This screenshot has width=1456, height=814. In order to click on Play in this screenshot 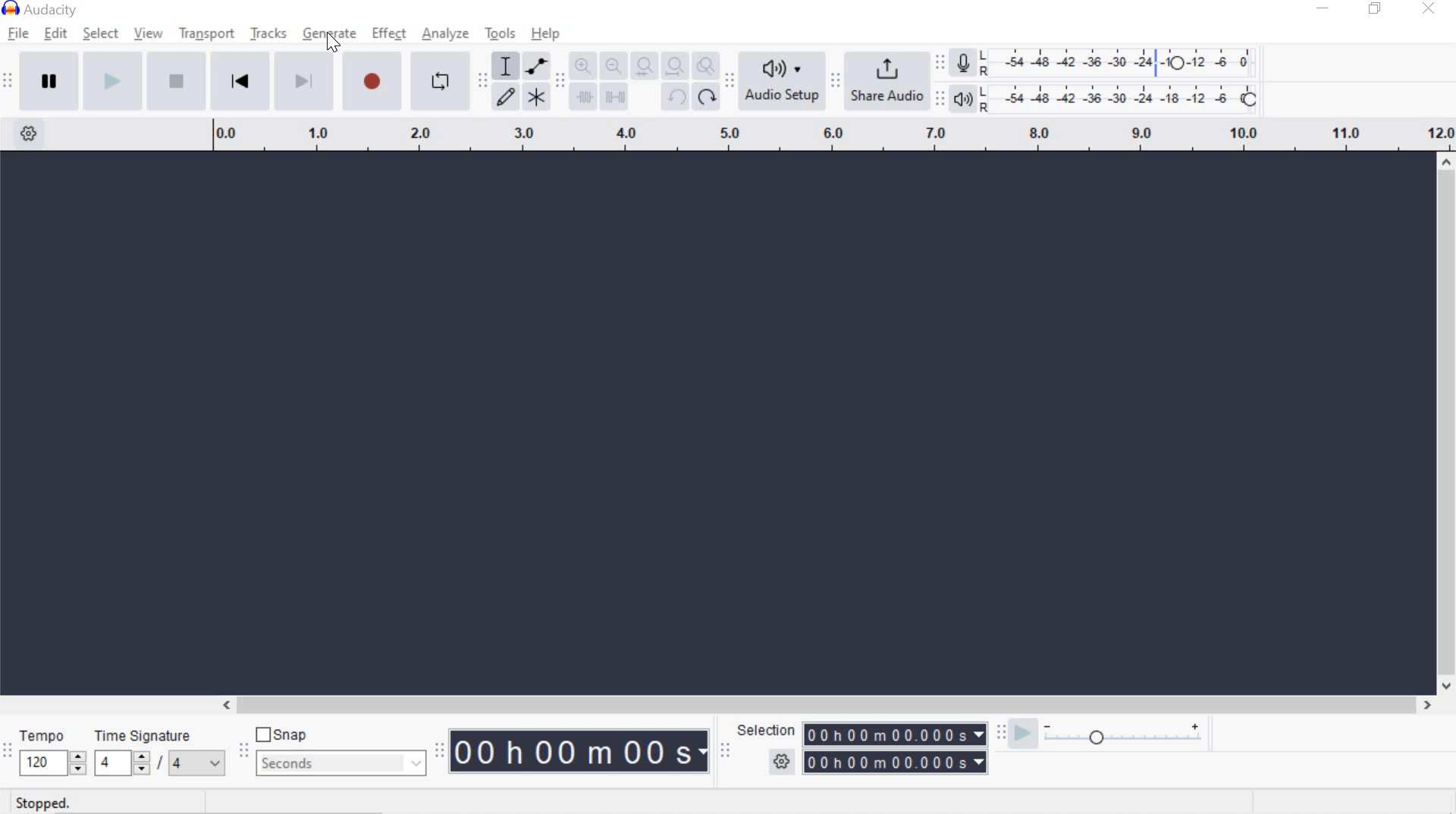, I will do `click(113, 80)`.